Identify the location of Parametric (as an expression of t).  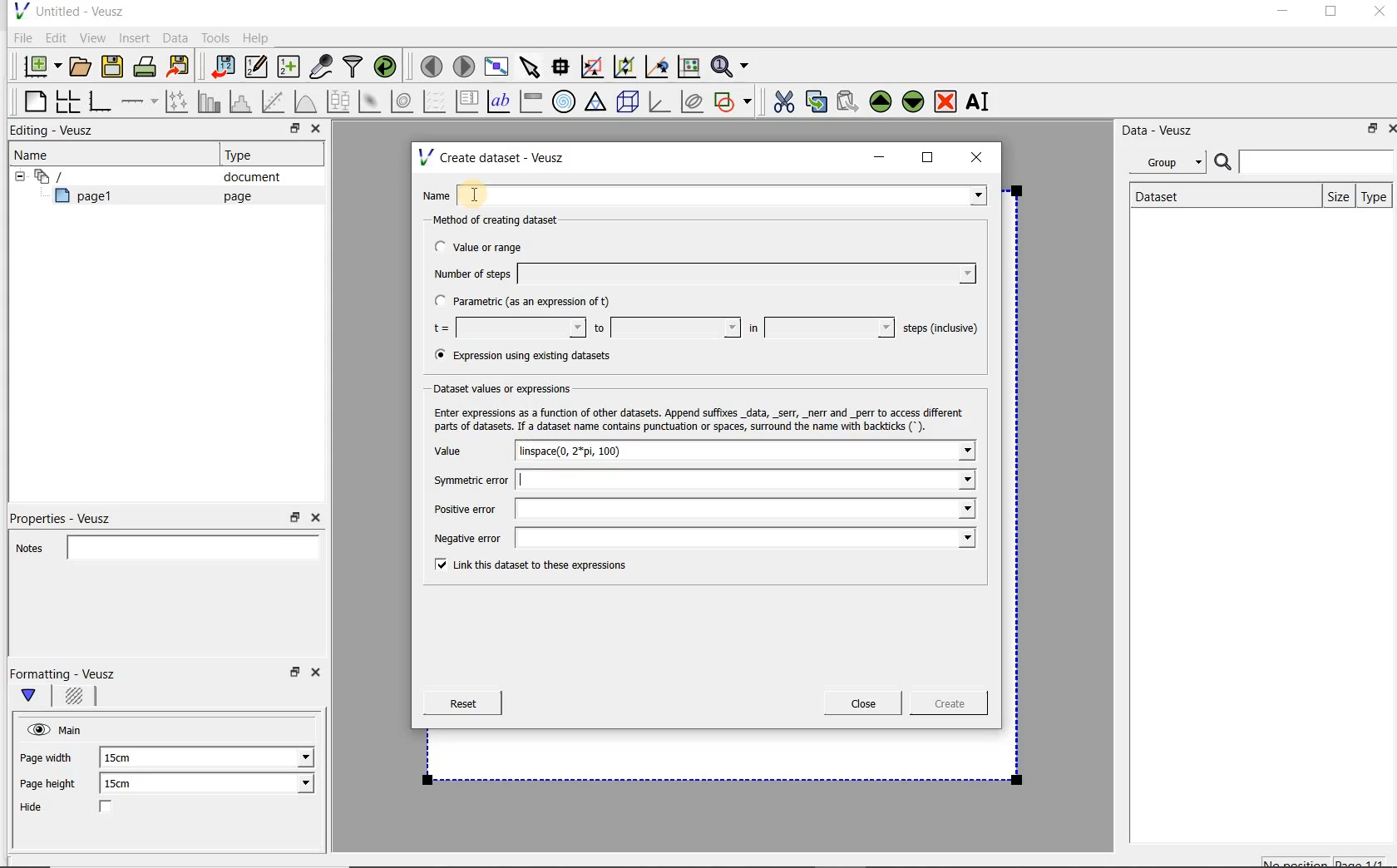
(530, 302).